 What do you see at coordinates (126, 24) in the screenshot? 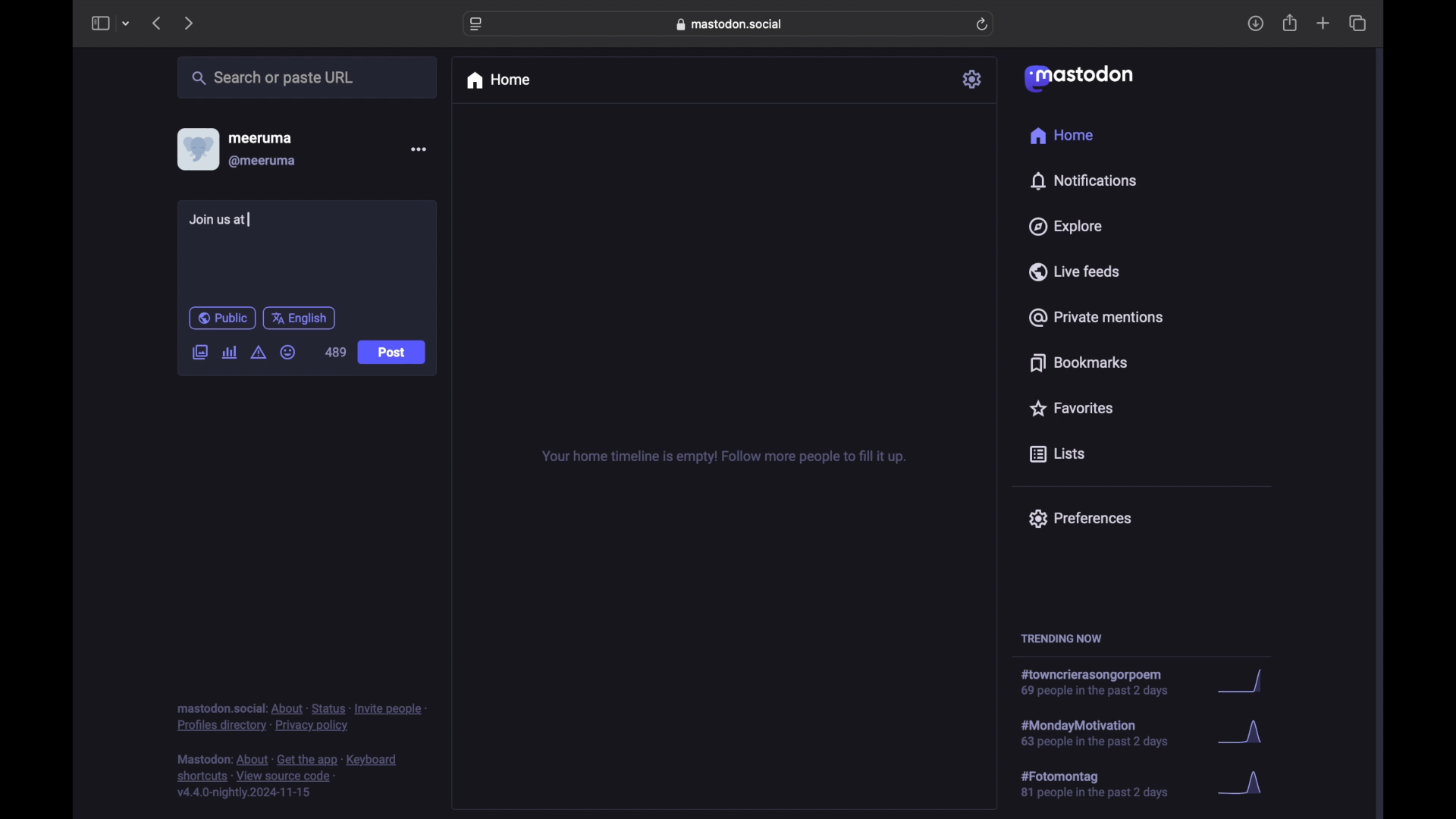
I see `tab group picker` at bounding box center [126, 24].